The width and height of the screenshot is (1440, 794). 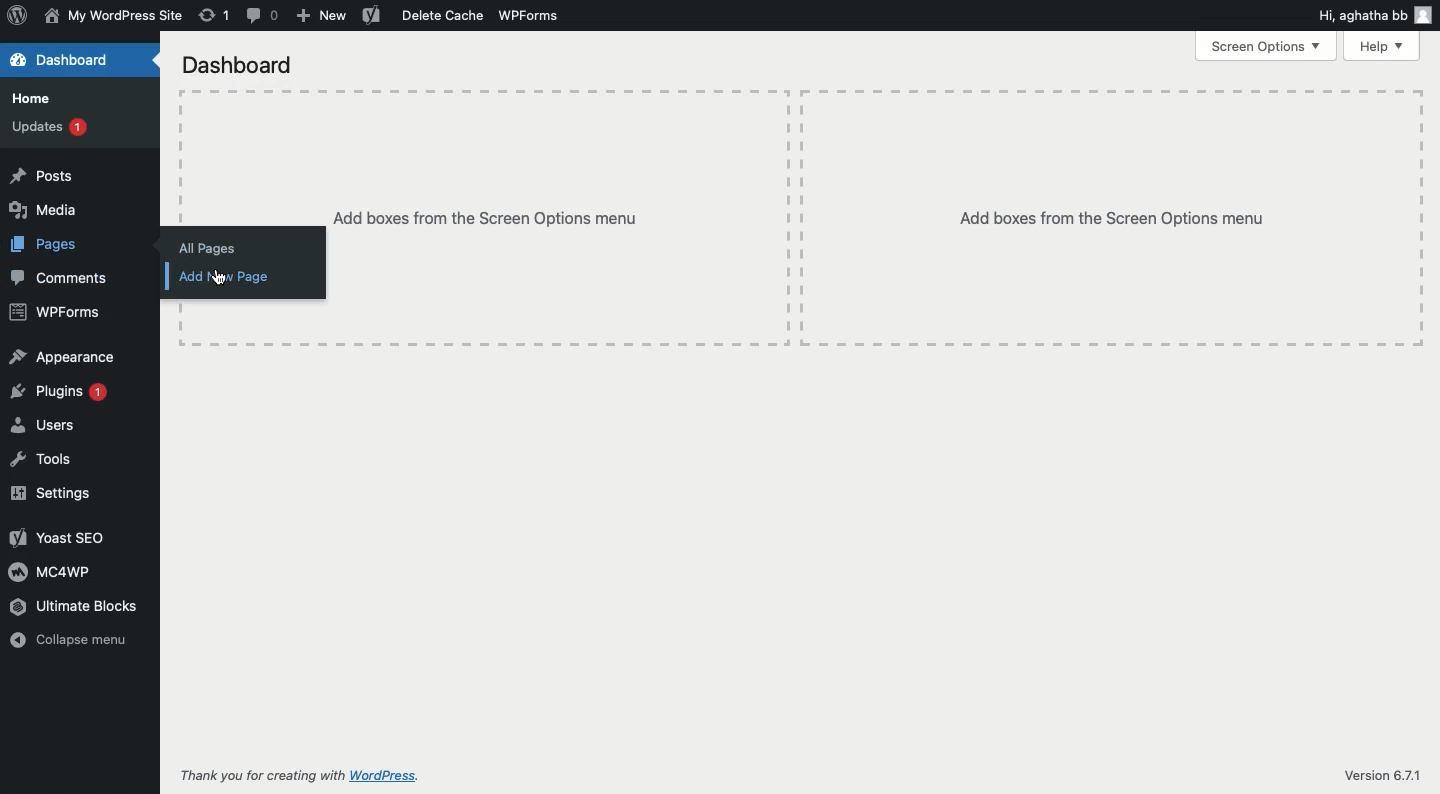 What do you see at coordinates (441, 15) in the screenshot?
I see `Delete cache` at bounding box center [441, 15].